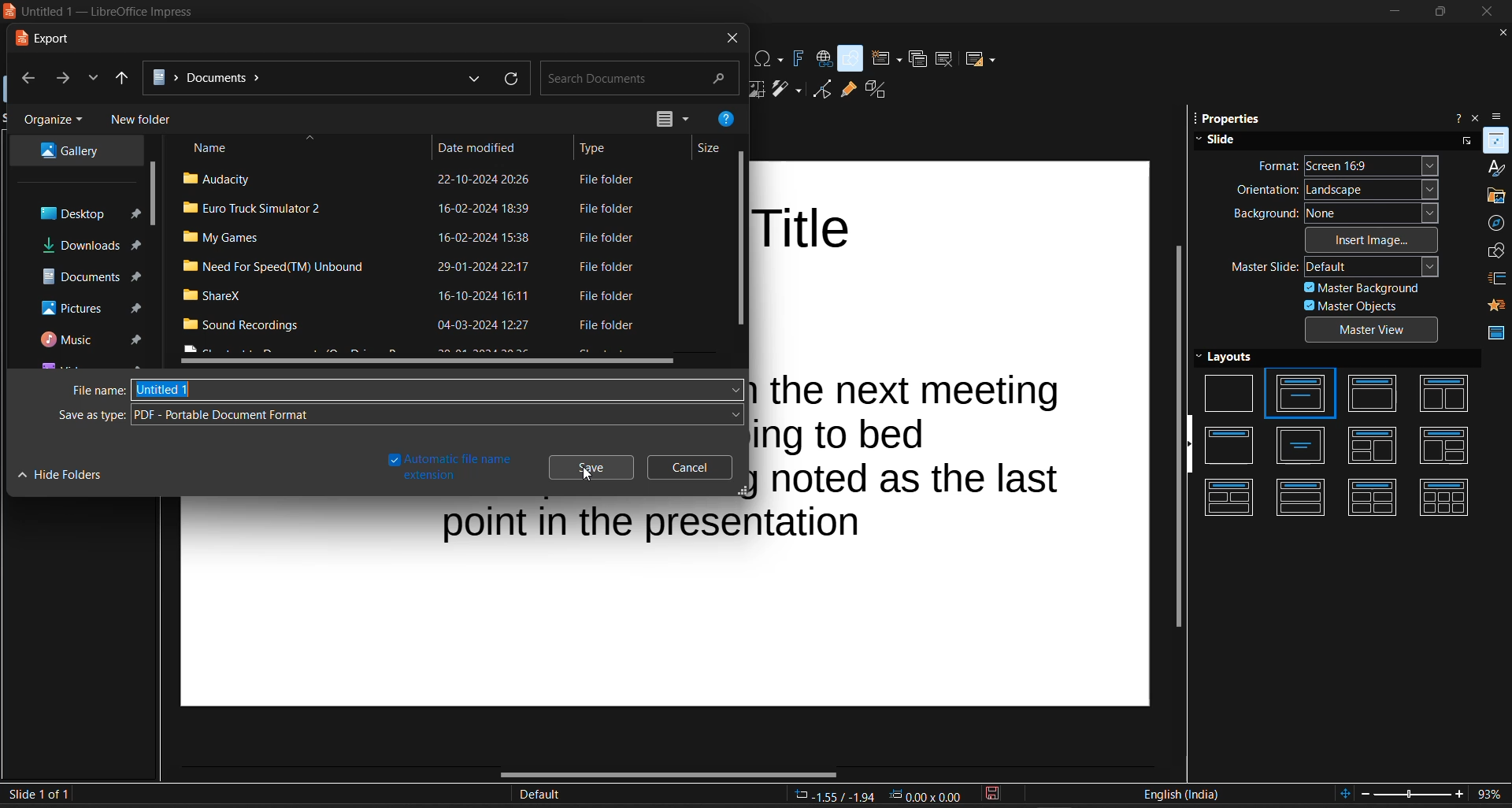 This screenshot has width=1512, height=808. What do you see at coordinates (1494, 250) in the screenshot?
I see `shapes` at bounding box center [1494, 250].